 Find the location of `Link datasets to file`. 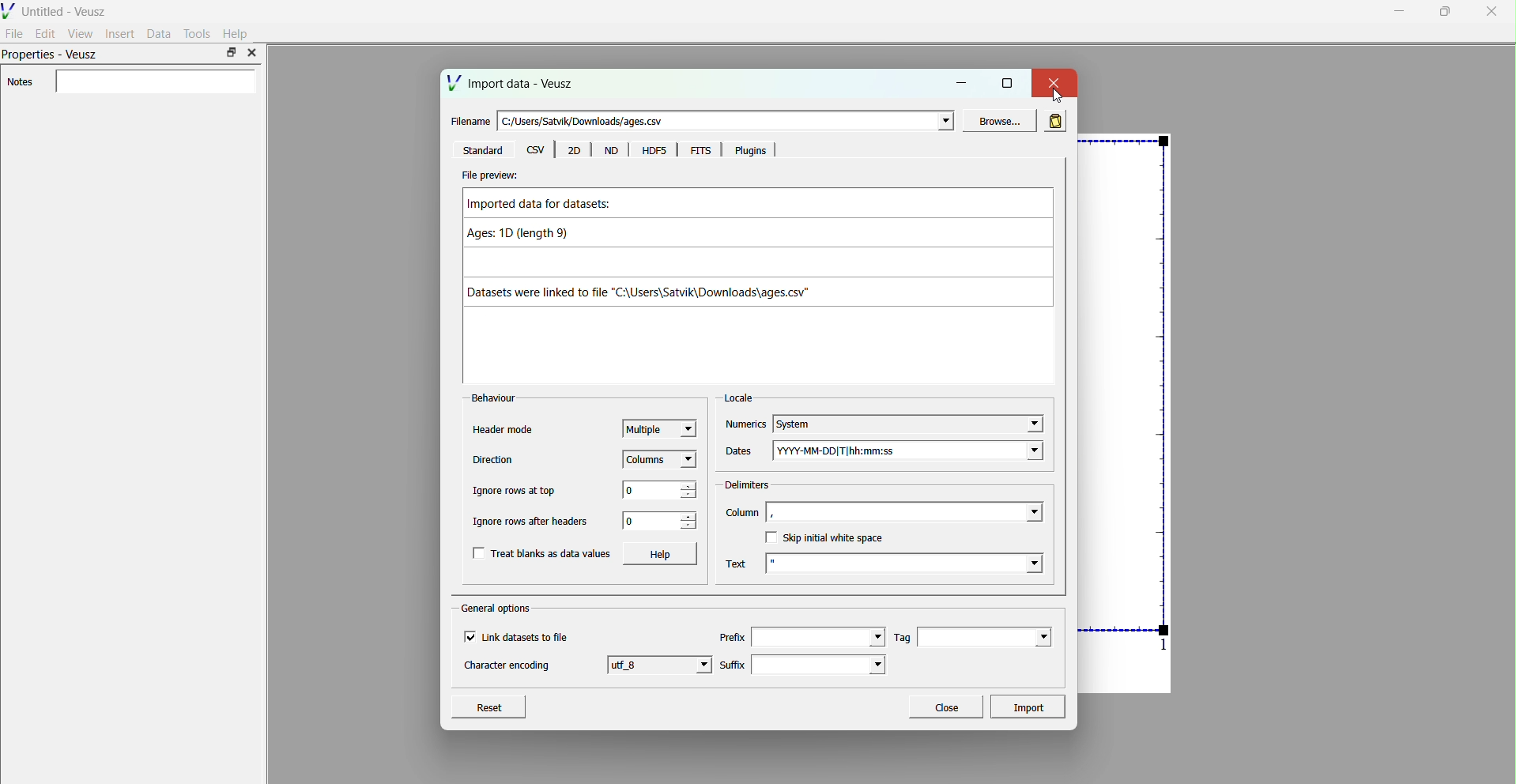

Link datasets to file is located at coordinates (530, 637).